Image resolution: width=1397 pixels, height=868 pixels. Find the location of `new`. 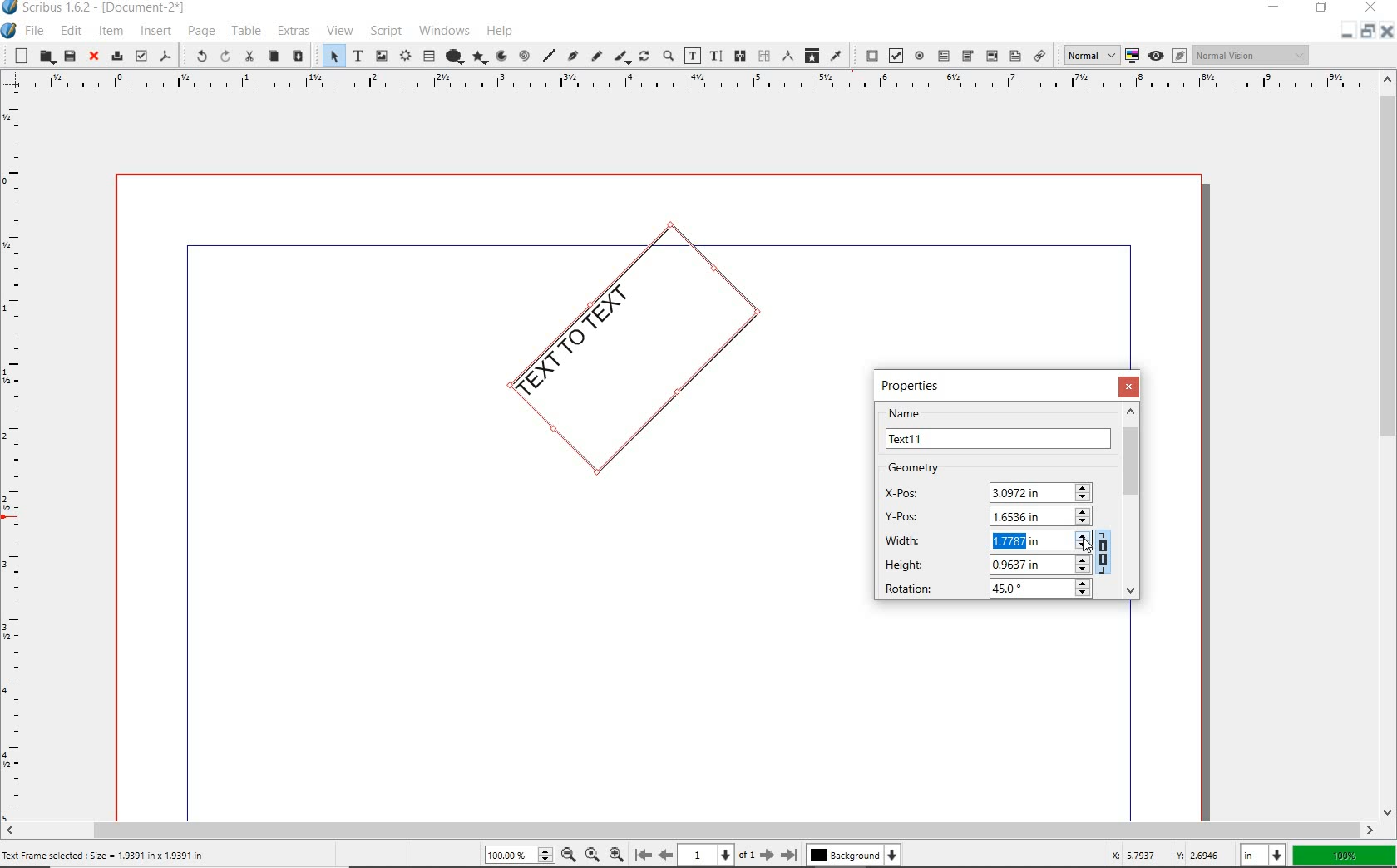

new is located at coordinates (17, 56).